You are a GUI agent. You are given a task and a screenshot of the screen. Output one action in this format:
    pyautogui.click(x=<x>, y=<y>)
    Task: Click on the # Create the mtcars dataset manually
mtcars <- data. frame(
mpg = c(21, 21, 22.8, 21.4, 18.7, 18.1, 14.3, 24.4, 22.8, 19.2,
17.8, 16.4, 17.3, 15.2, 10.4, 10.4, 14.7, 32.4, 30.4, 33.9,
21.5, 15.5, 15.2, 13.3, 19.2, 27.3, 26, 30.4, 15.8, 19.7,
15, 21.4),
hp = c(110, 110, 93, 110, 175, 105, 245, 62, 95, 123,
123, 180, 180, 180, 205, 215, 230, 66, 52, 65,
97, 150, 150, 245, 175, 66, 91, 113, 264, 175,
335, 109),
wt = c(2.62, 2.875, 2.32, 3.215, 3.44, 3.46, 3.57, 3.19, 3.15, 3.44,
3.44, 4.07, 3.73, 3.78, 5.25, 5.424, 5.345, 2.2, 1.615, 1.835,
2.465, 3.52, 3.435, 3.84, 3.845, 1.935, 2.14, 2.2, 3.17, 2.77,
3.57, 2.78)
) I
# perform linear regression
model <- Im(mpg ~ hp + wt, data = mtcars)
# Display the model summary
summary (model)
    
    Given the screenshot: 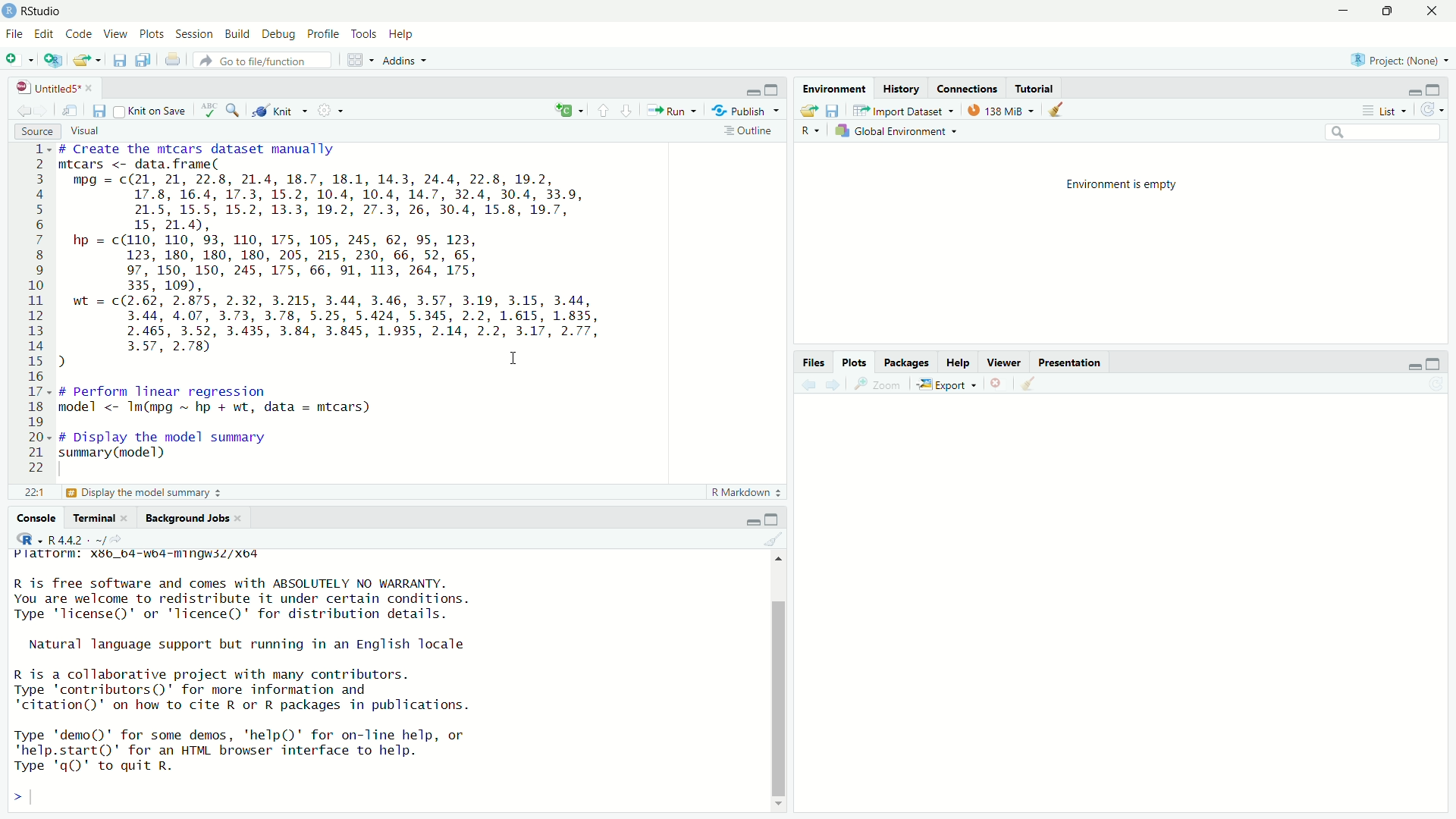 What is the action you would take?
    pyautogui.click(x=331, y=305)
    